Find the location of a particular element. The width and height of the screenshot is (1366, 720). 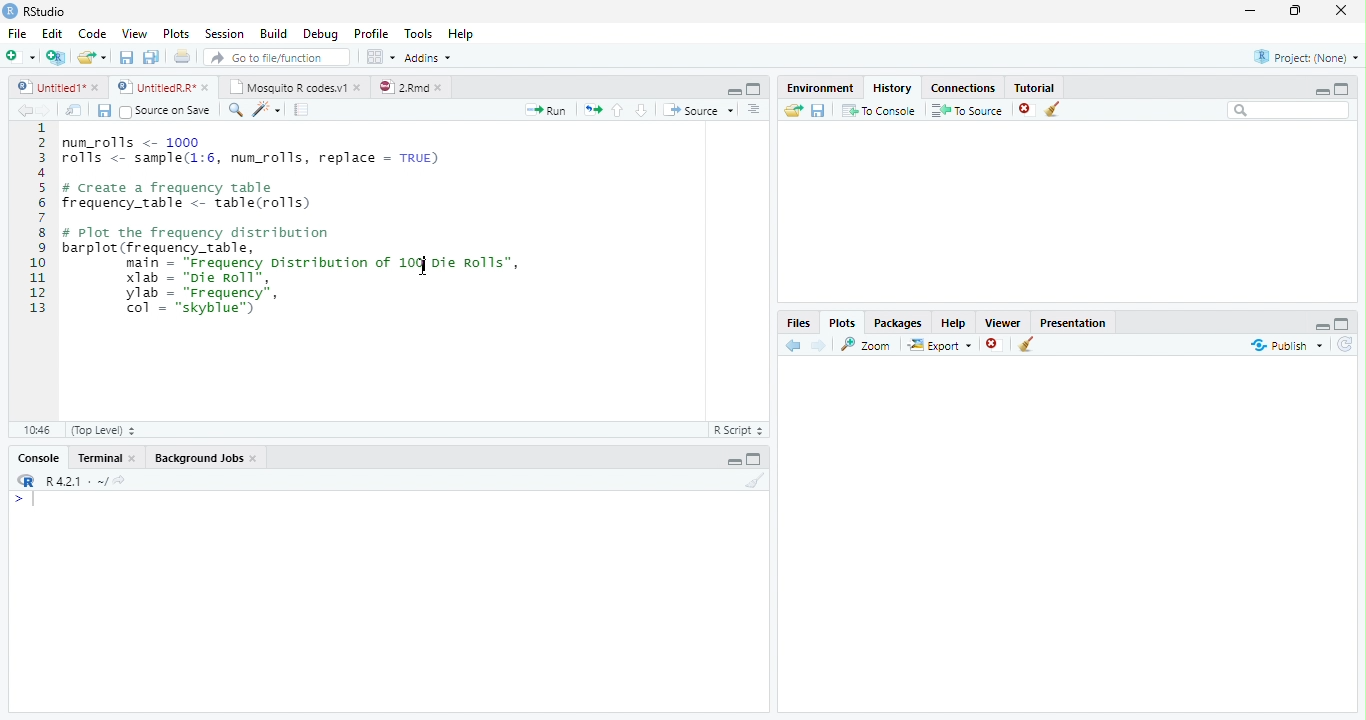

Tools is located at coordinates (420, 33).